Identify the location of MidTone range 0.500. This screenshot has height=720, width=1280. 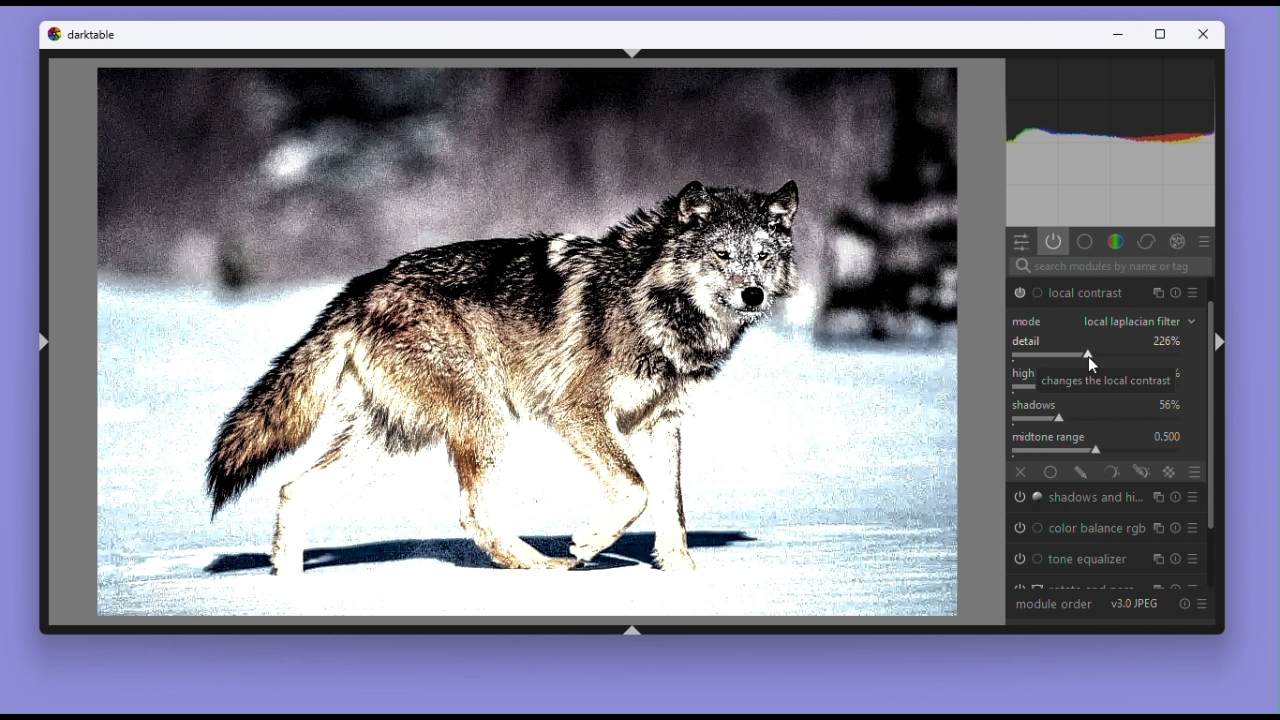
(1105, 438).